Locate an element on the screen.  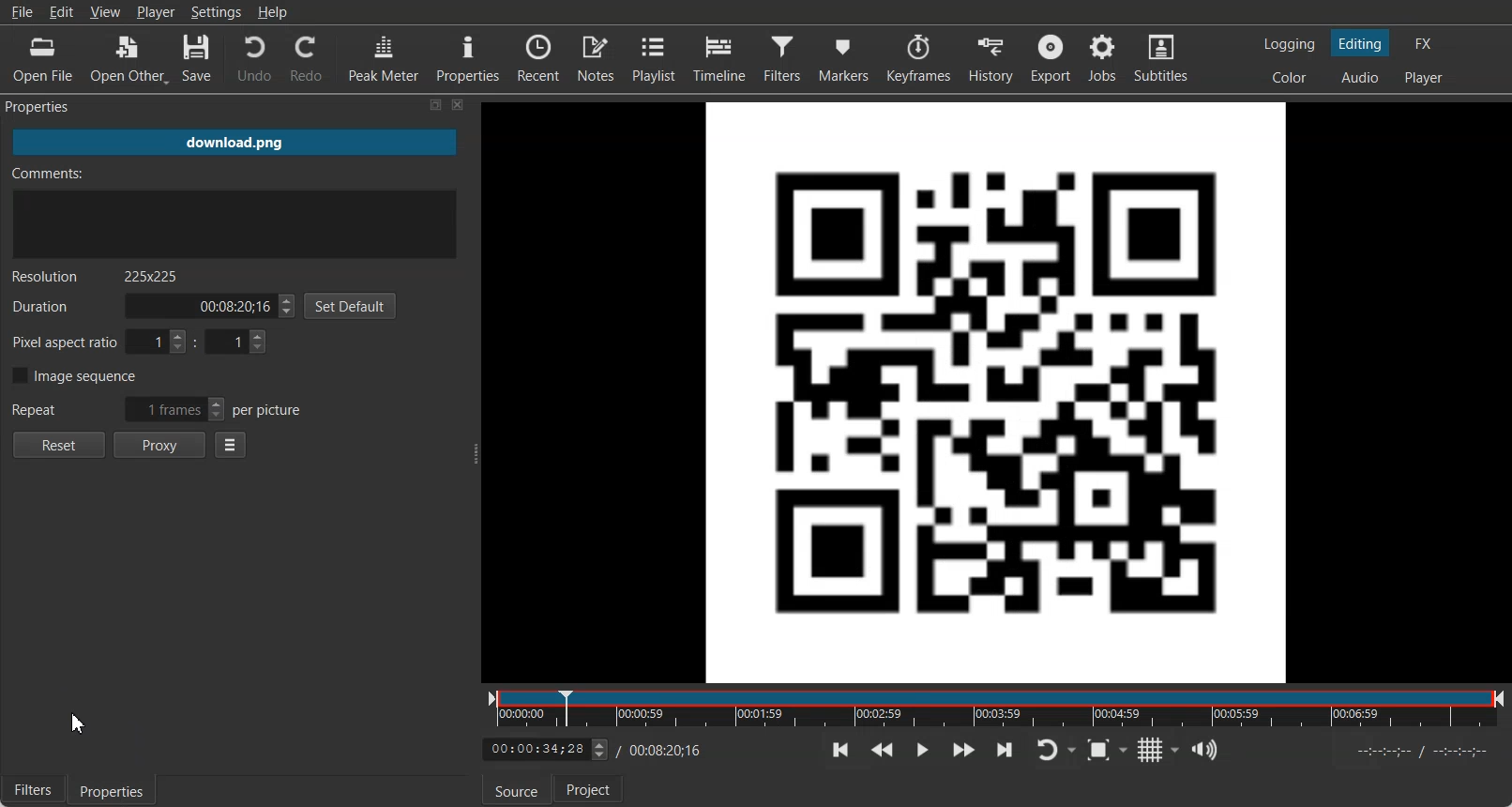
Cursor is located at coordinates (79, 723).